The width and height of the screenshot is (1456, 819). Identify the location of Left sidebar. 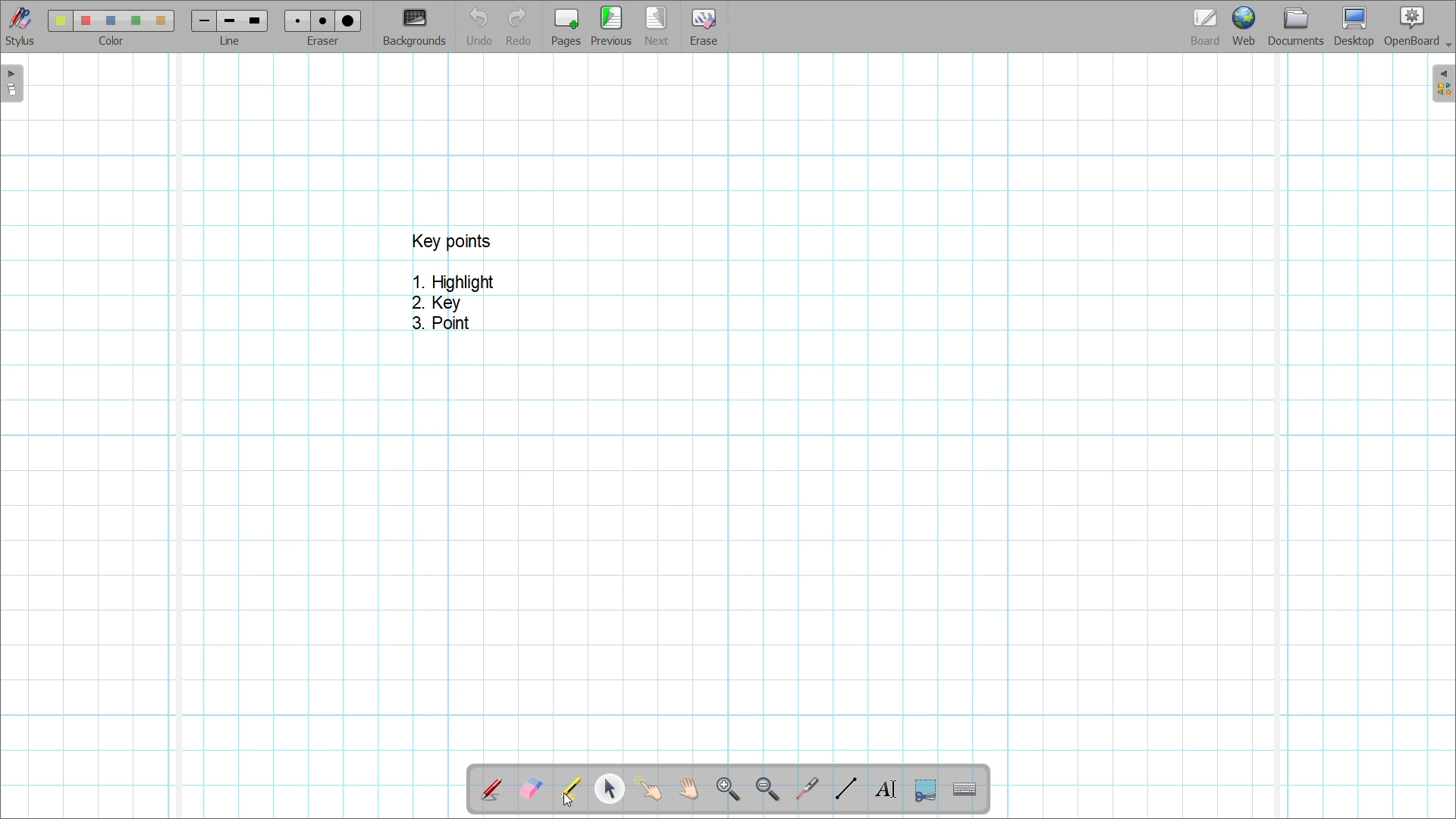
(12, 83).